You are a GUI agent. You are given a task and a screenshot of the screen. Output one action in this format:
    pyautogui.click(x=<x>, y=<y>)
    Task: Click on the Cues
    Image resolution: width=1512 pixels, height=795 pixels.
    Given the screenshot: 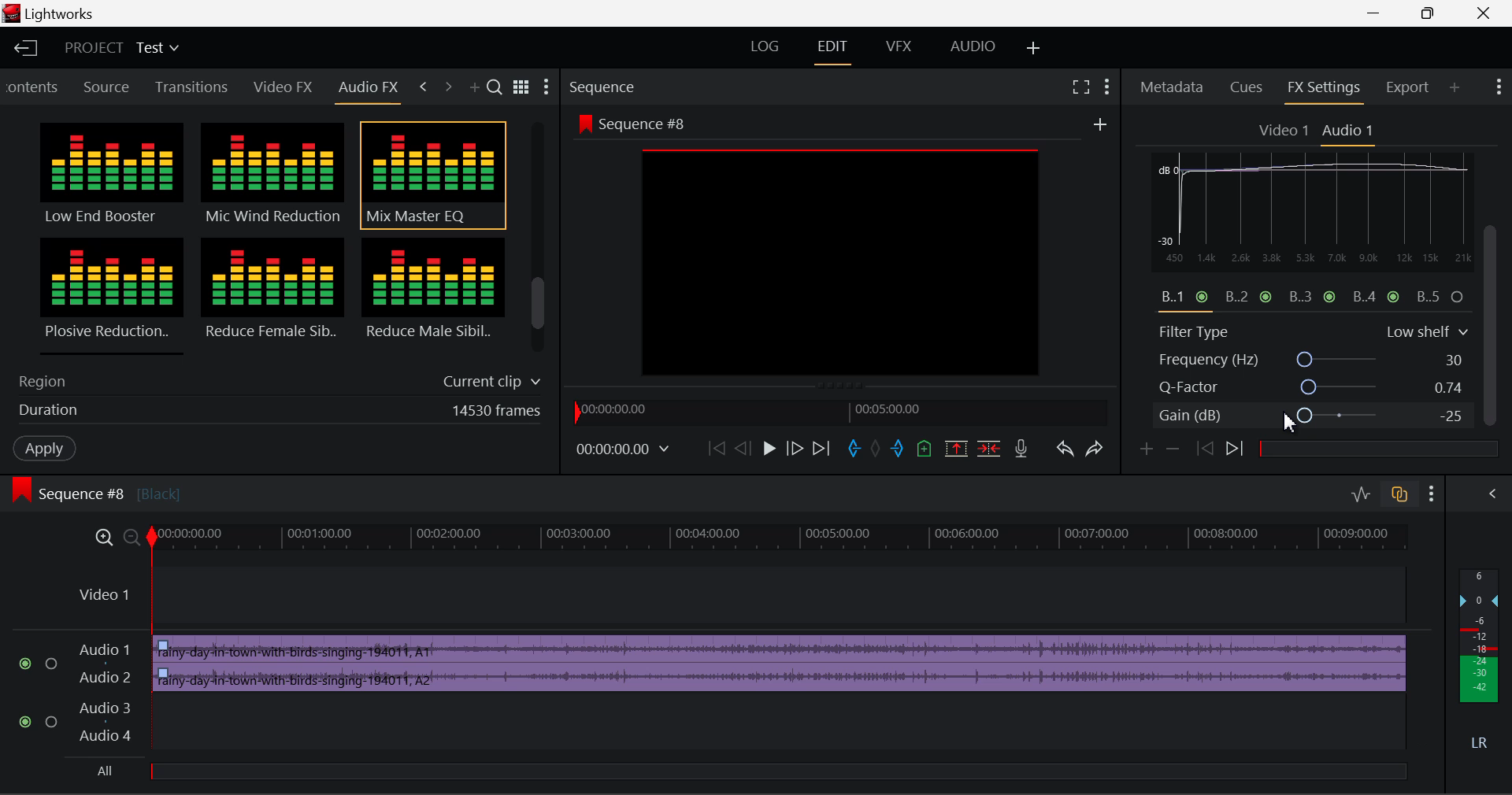 What is the action you would take?
    pyautogui.click(x=1247, y=89)
    